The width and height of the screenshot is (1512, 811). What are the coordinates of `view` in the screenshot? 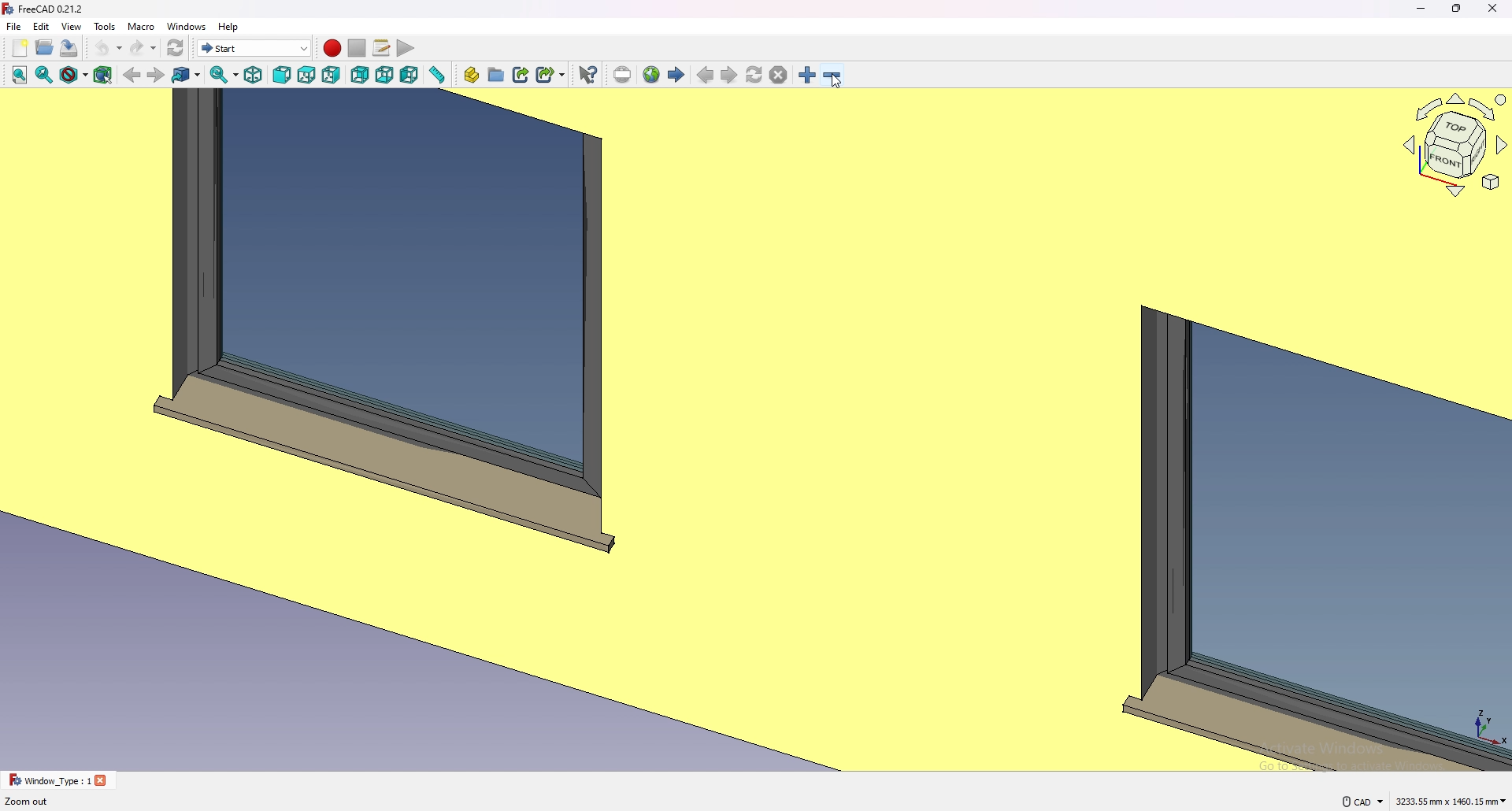 It's located at (71, 27).